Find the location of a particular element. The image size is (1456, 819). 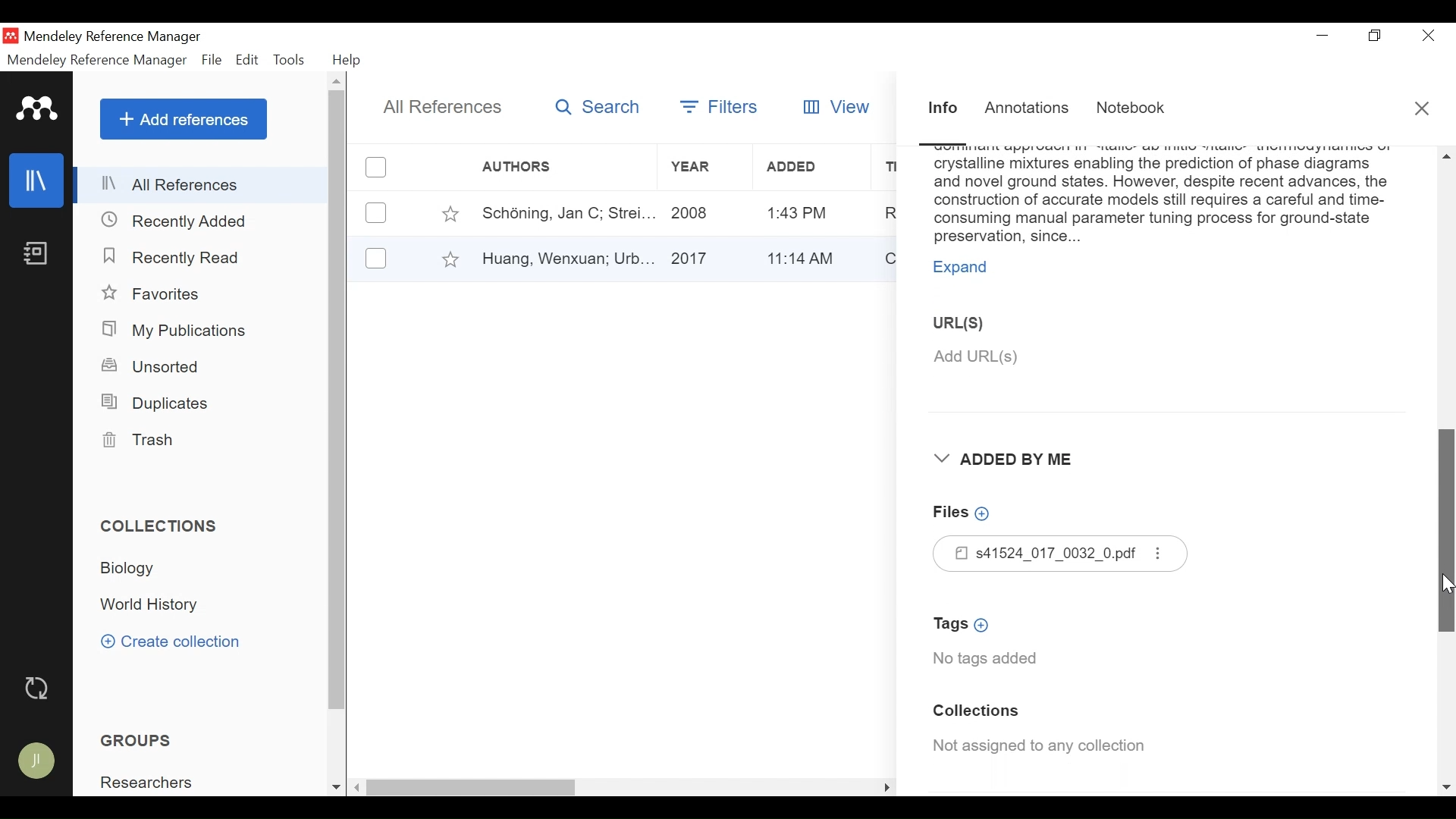

View is located at coordinates (838, 105).